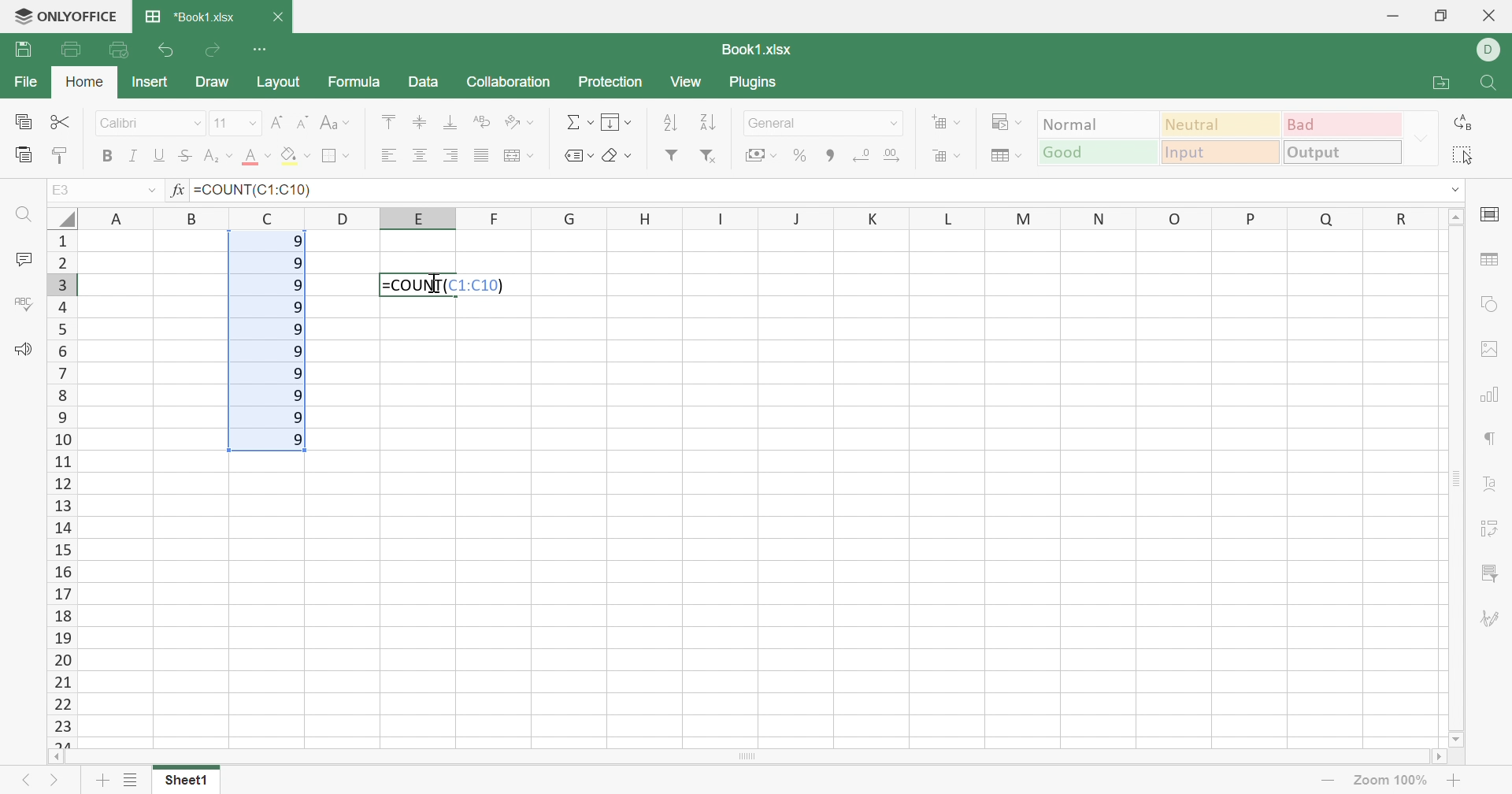 The width and height of the screenshot is (1512, 794). I want to click on Drop Down, so click(1454, 189).